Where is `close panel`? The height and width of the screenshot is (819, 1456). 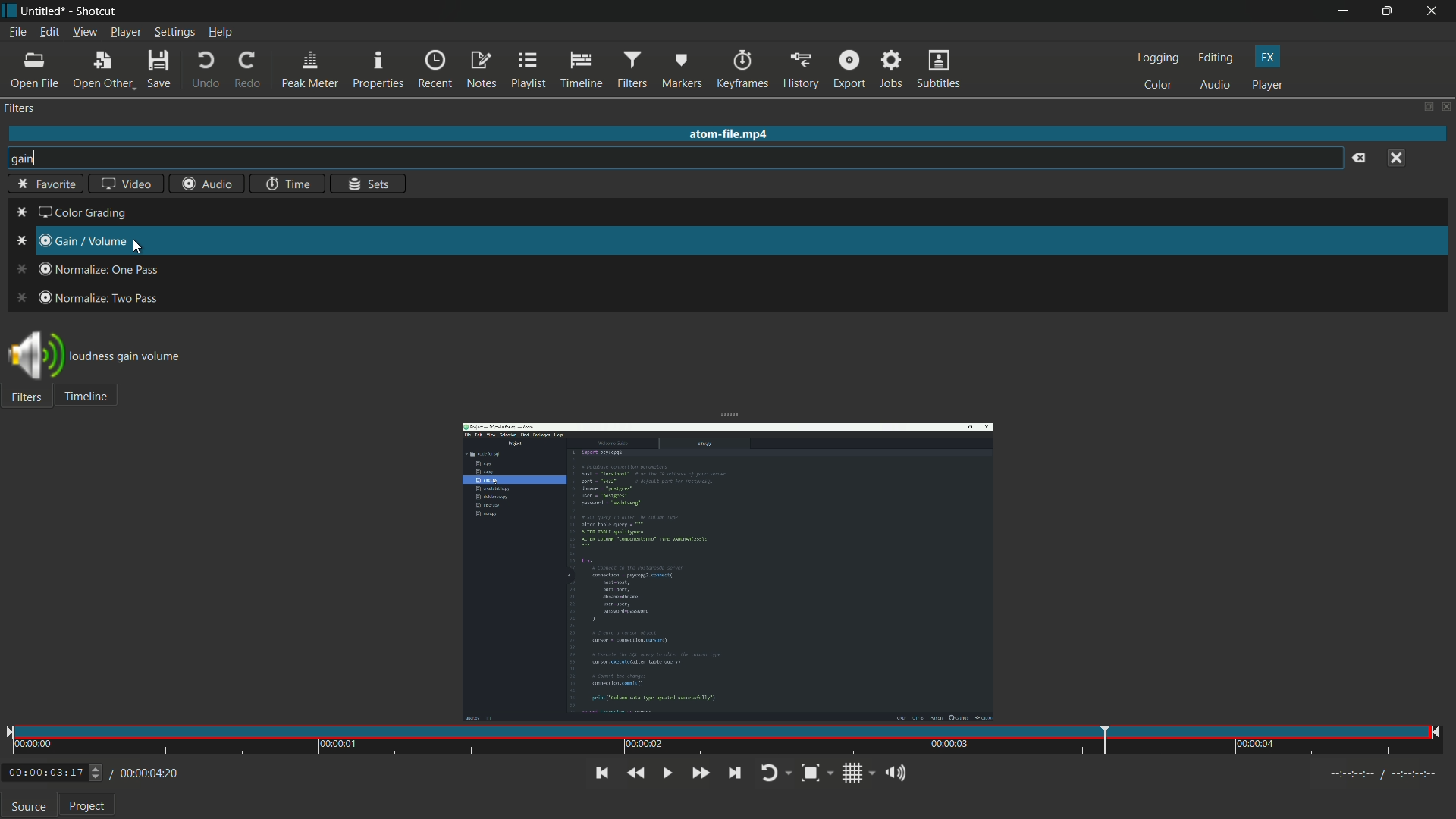 close panel is located at coordinates (1445, 106).